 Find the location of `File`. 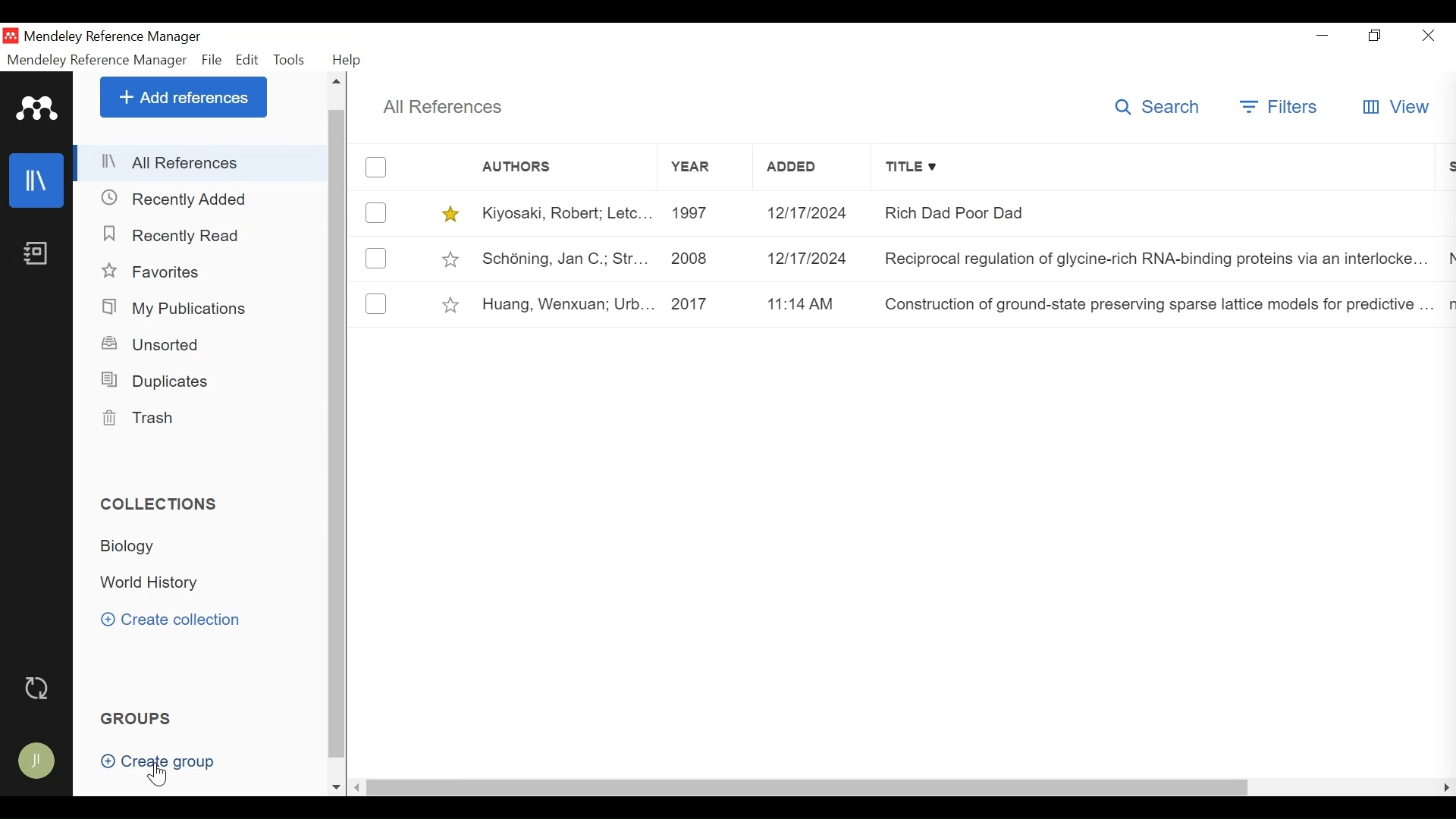

File is located at coordinates (212, 60).